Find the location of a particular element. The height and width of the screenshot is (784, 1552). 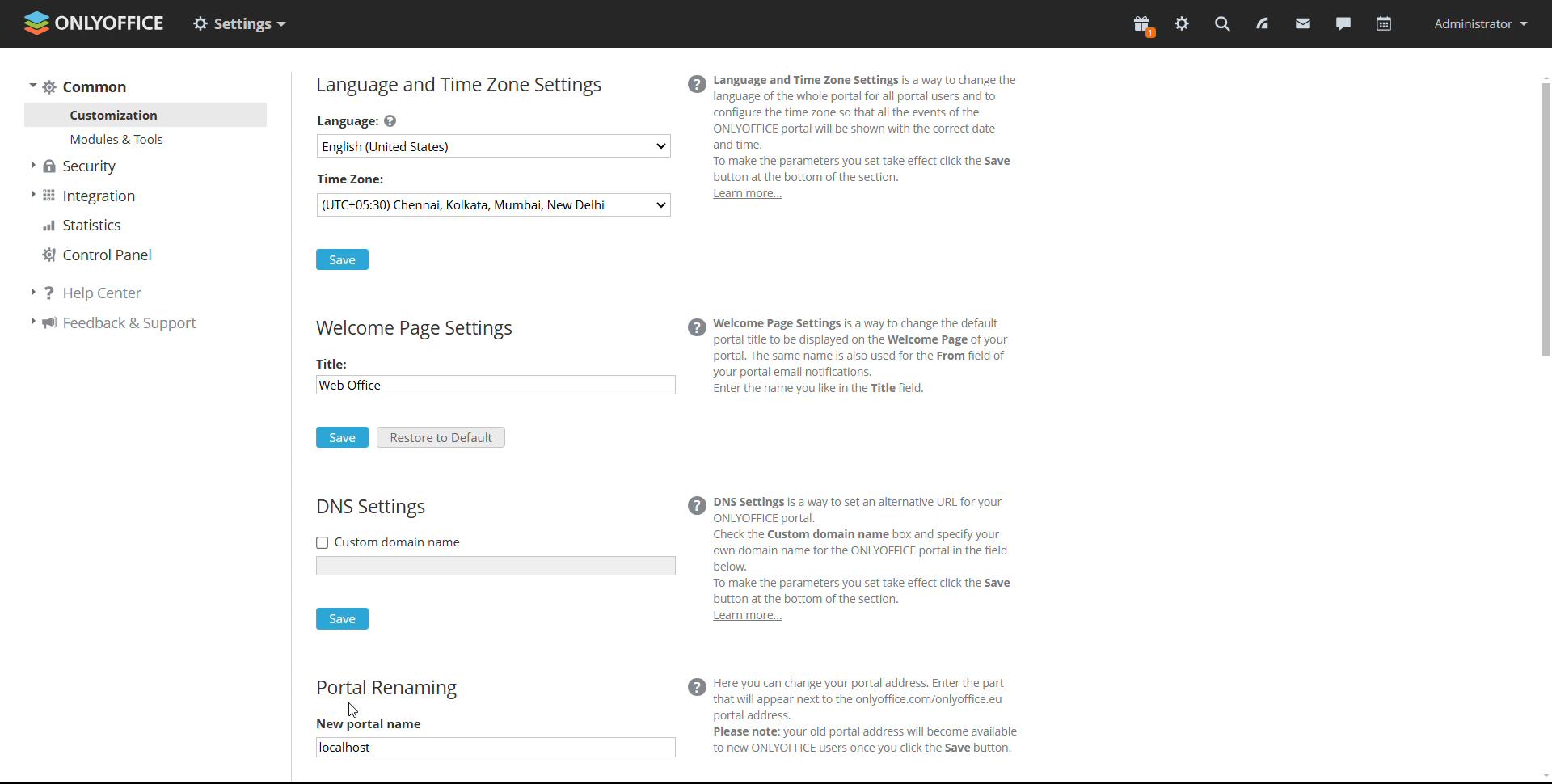

edit title is located at coordinates (390, 387).